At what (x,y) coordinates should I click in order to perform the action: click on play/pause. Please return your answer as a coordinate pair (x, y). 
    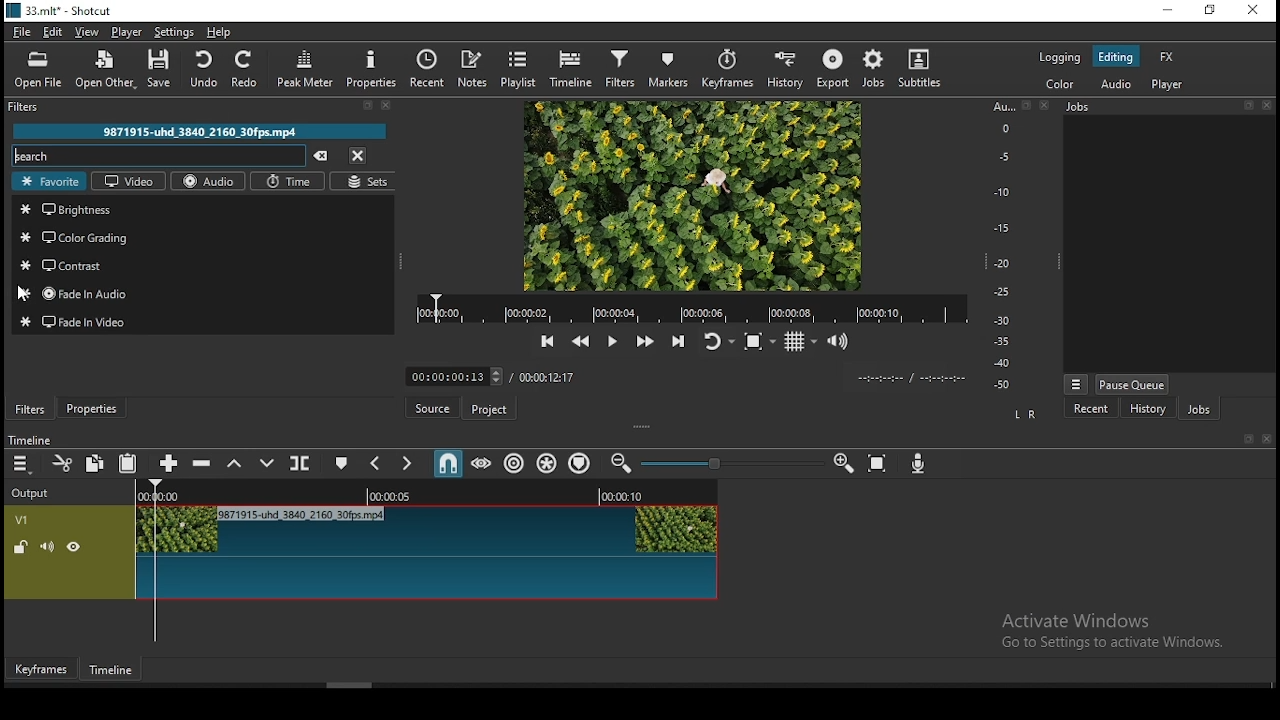
    Looking at the image, I should click on (612, 341).